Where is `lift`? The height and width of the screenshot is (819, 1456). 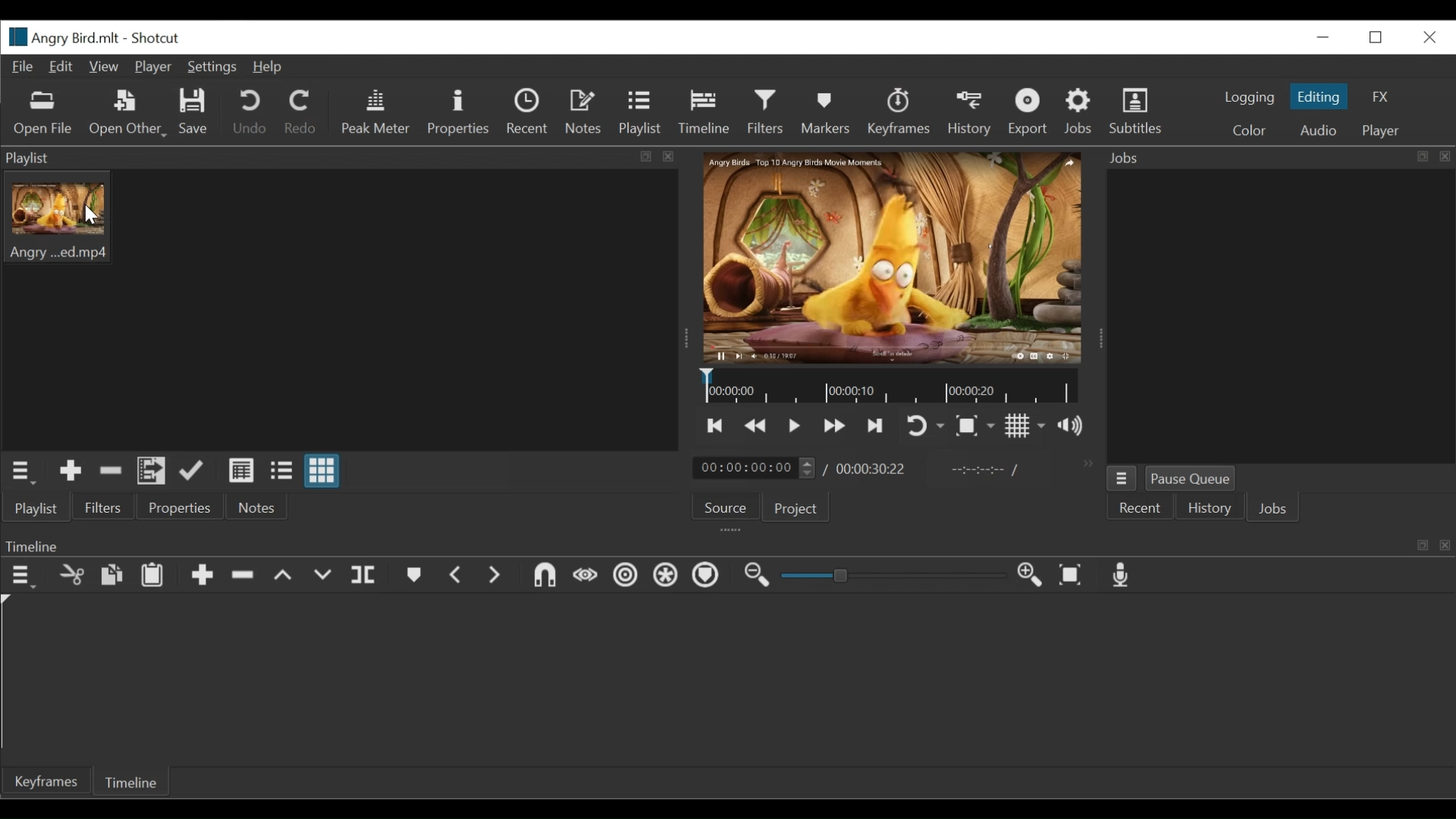 lift is located at coordinates (283, 576).